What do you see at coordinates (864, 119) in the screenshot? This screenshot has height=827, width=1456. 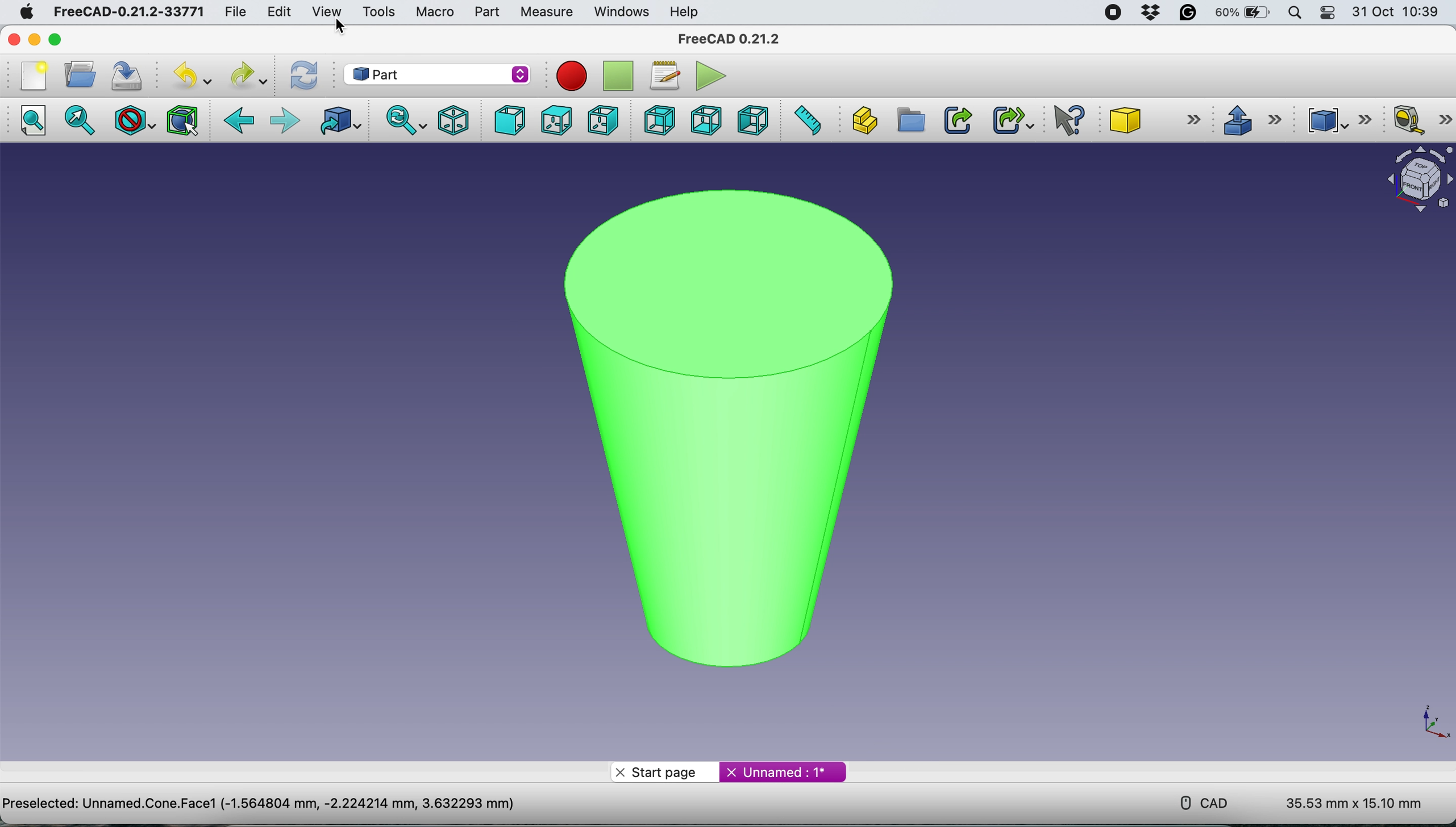 I see `create part` at bounding box center [864, 119].